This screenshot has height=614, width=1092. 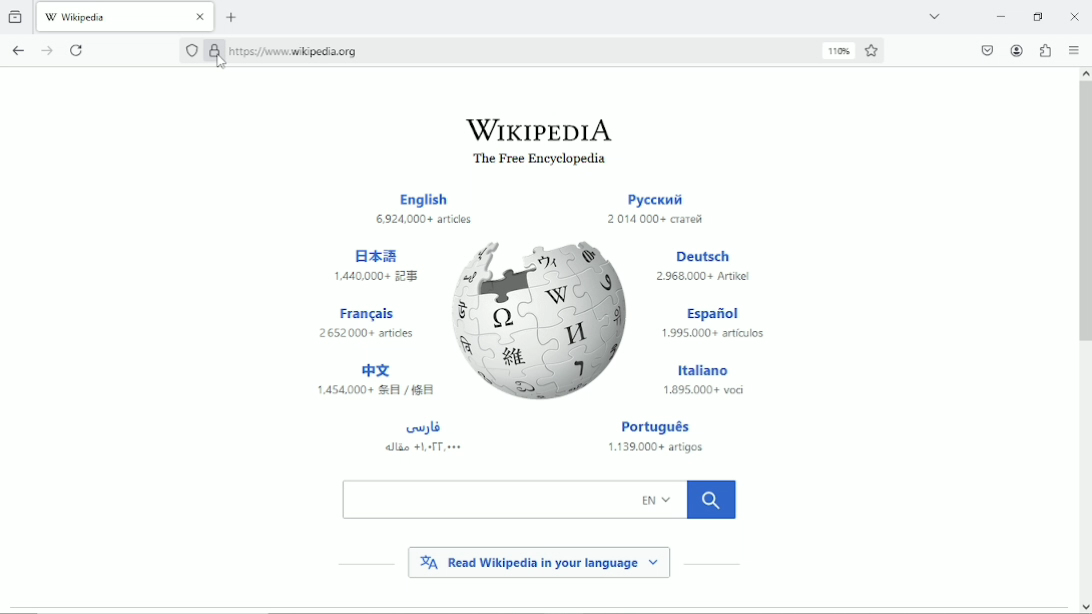 I want to click on Close, so click(x=1075, y=16).